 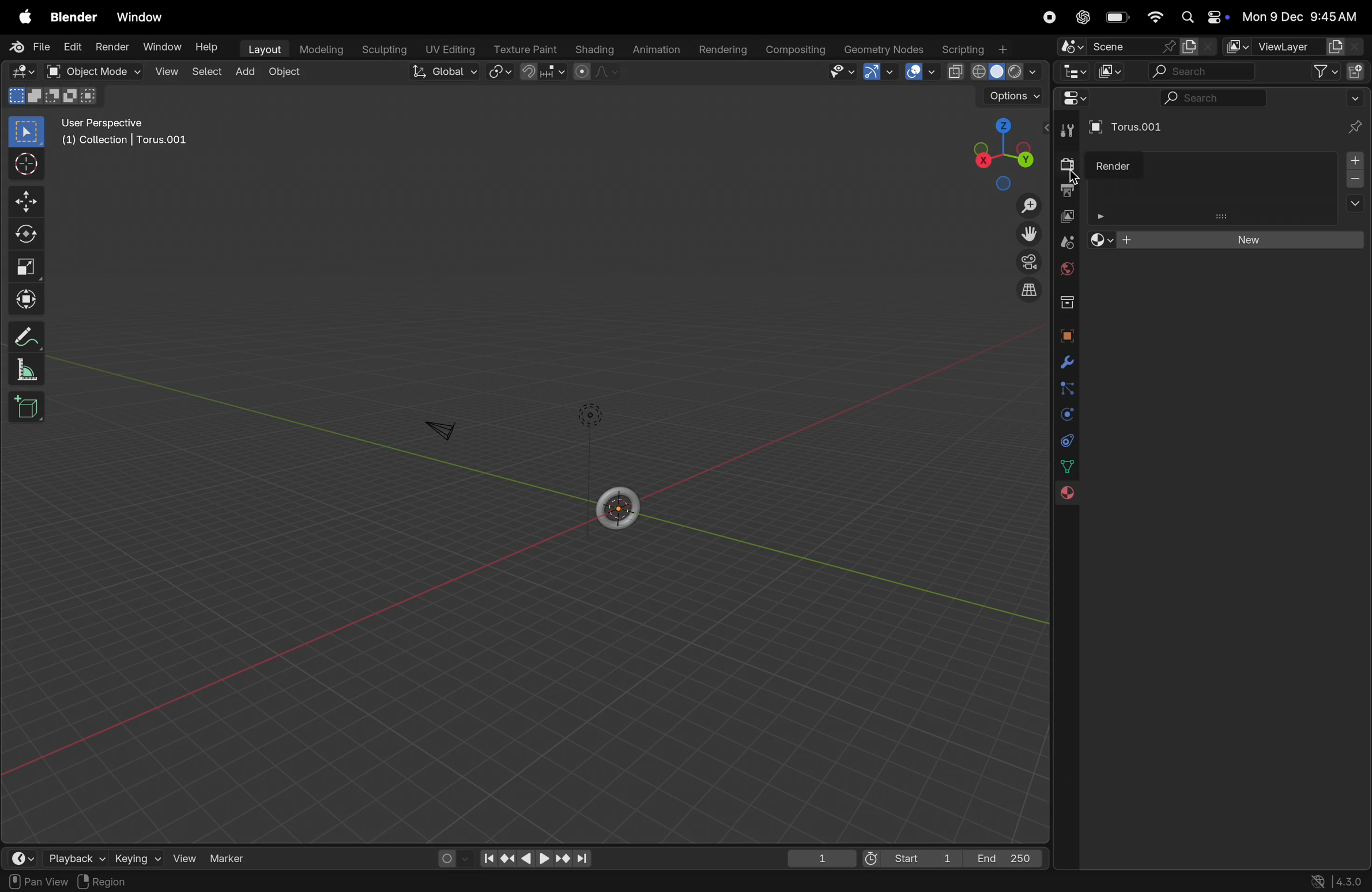 I want to click on Region, so click(x=109, y=882).